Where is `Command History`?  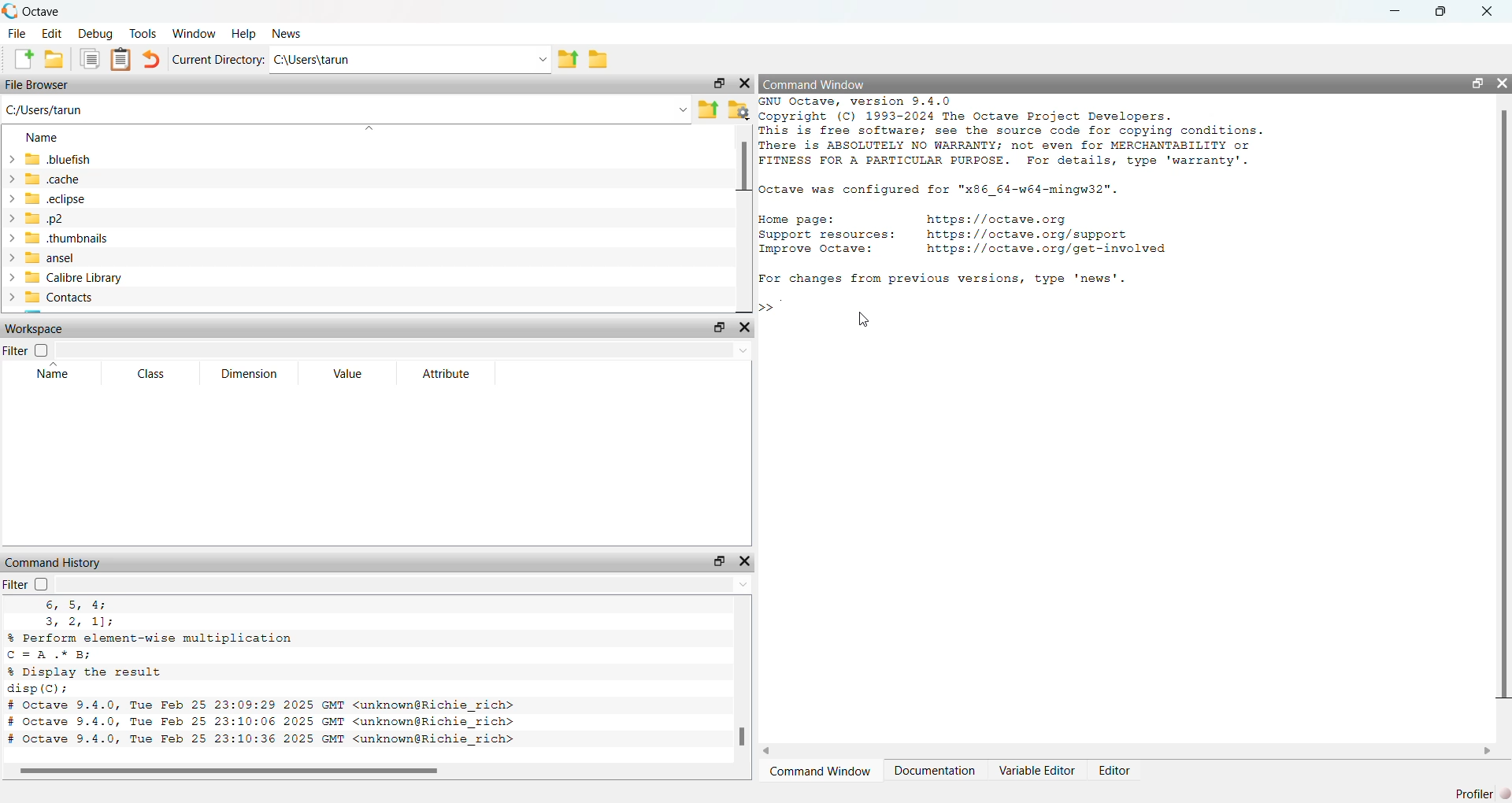 Command History is located at coordinates (54, 563).